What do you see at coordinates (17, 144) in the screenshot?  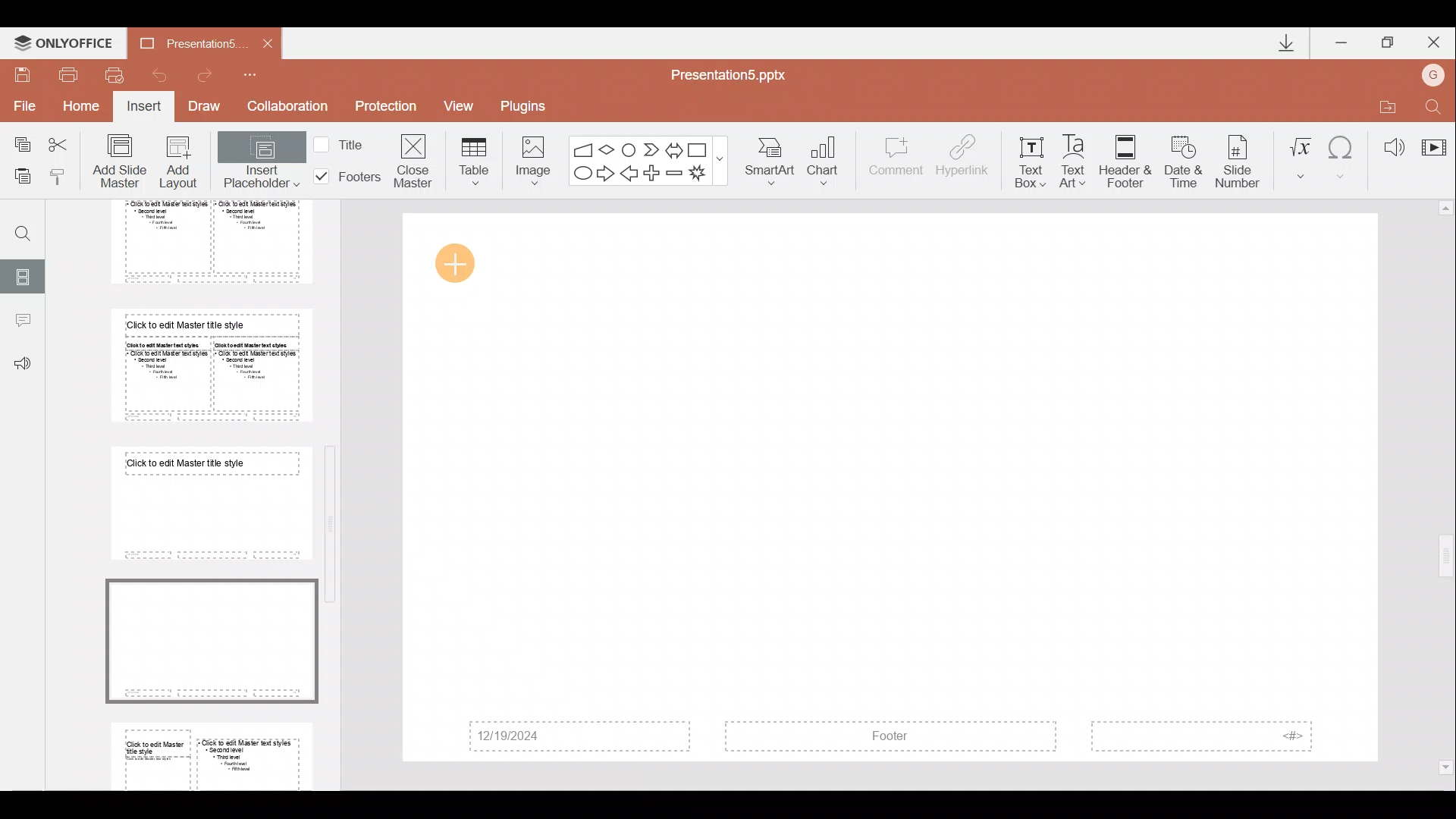 I see `Copy` at bounding box center [17, 144].